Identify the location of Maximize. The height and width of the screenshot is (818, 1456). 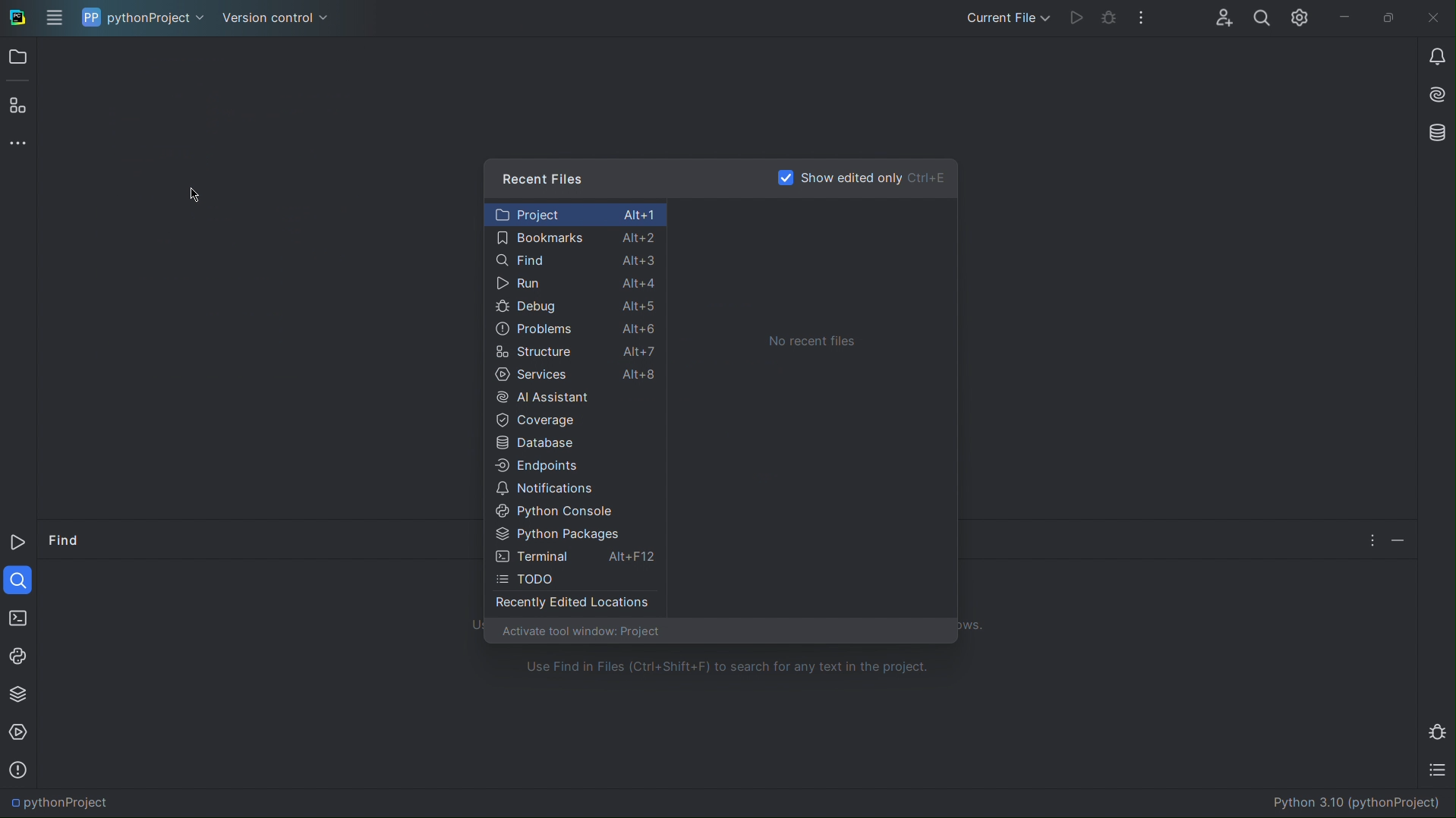
(1391, 19).